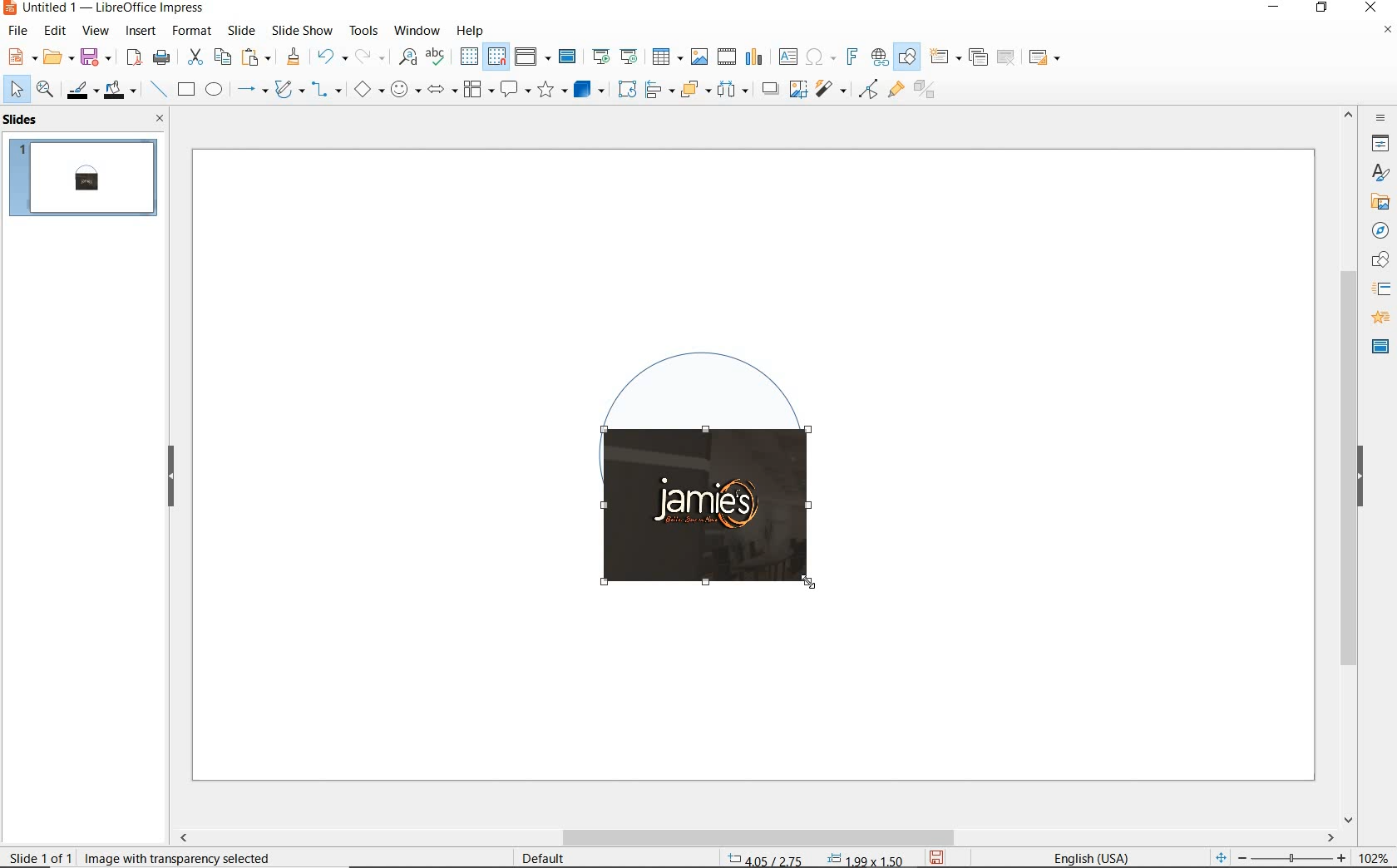  Describe the element at coordinates (327, 91) in the screenshot. I see `connectors` at that location.